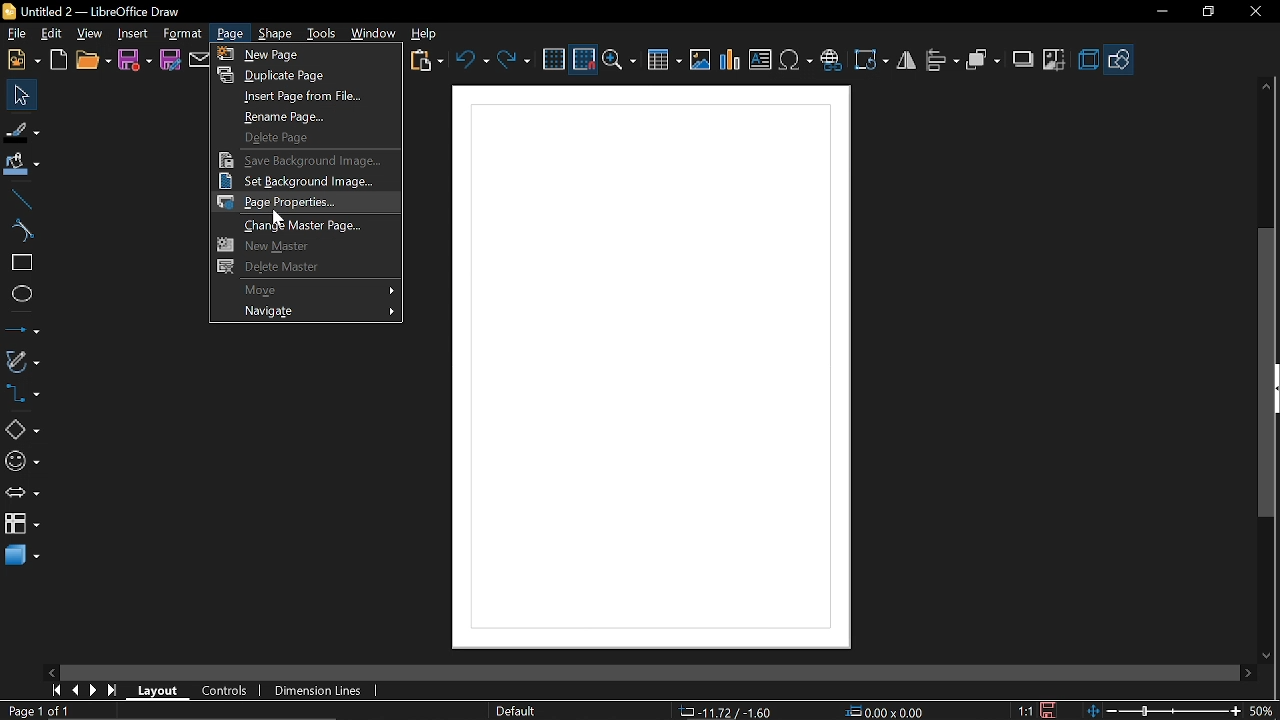 This screenshot has height=720, width=1280. Describe the element at coordinates (303, 159) in the screenshot. I see `Save background image` at that location.